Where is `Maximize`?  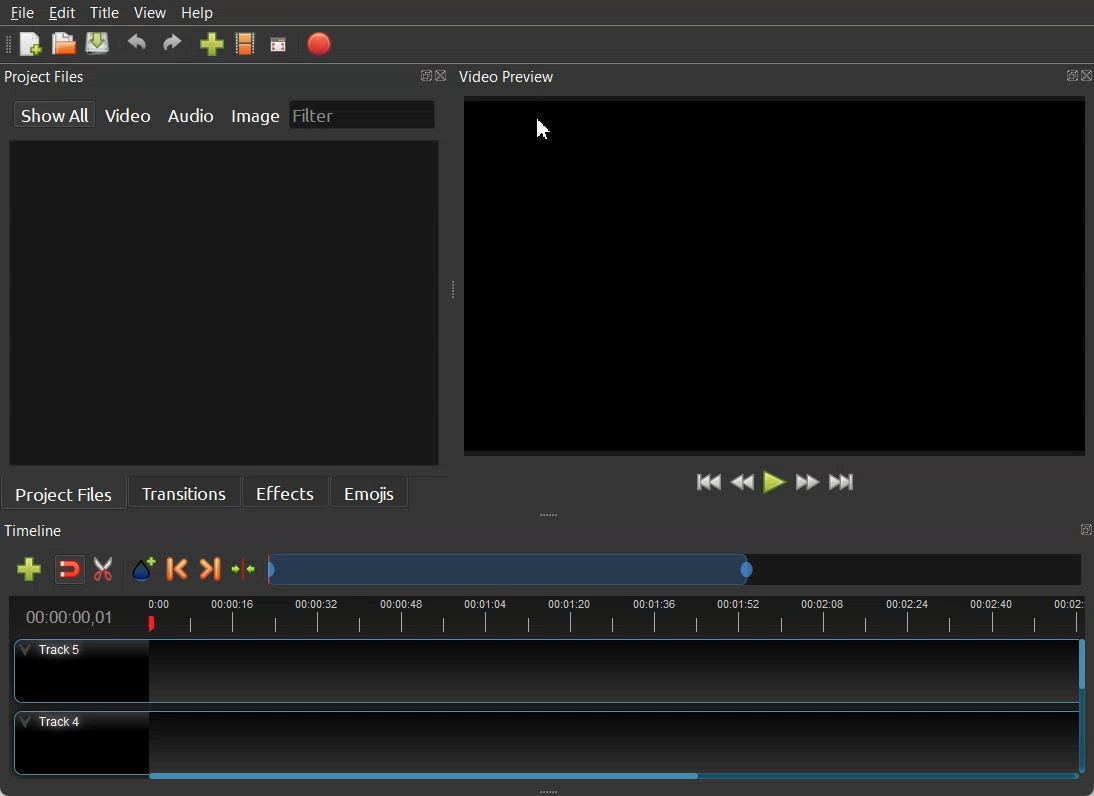
Maximize is located at coordinates (1086, 530).